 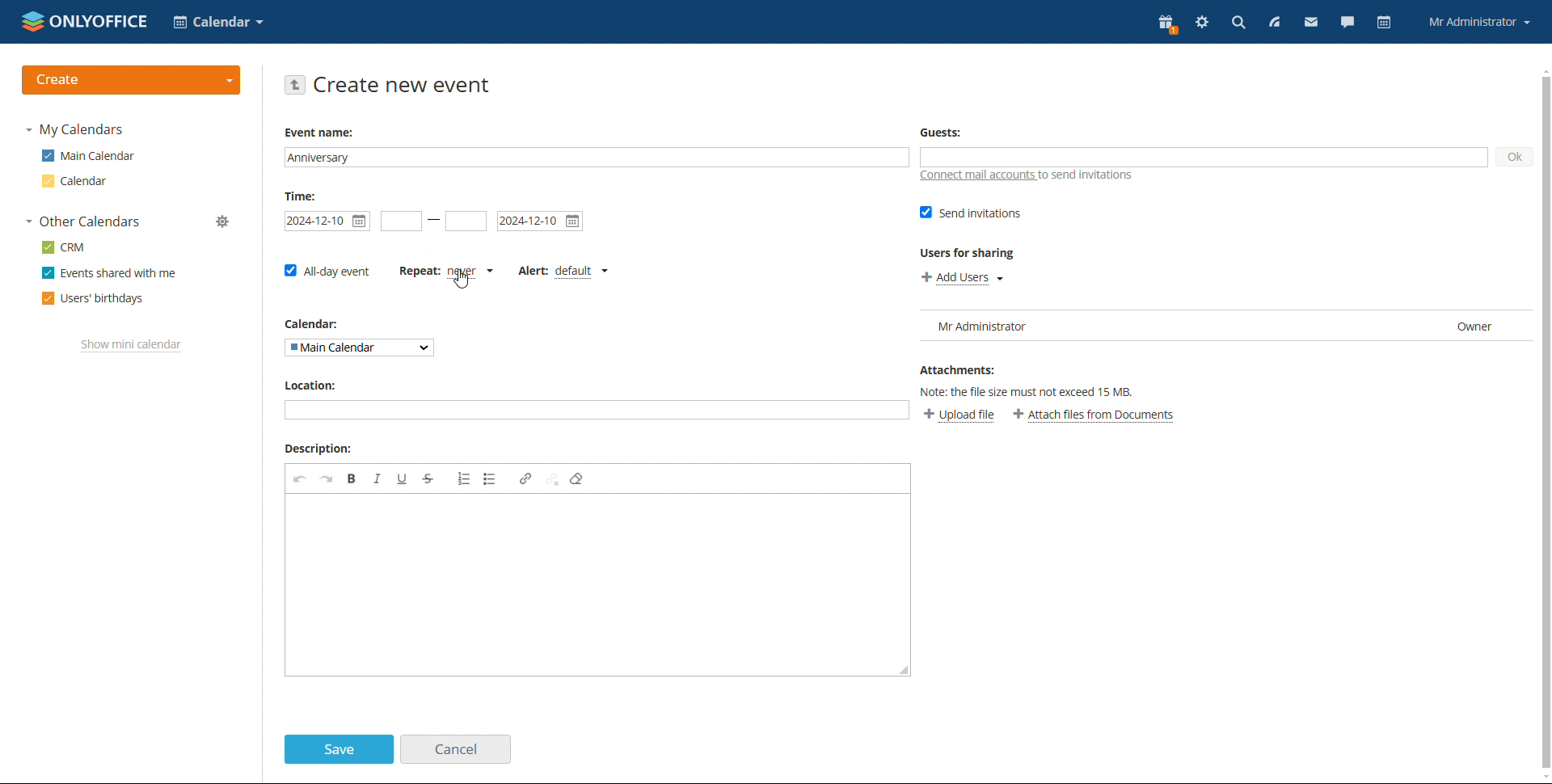 I want to click on Location:, so click(x=308, y=386).